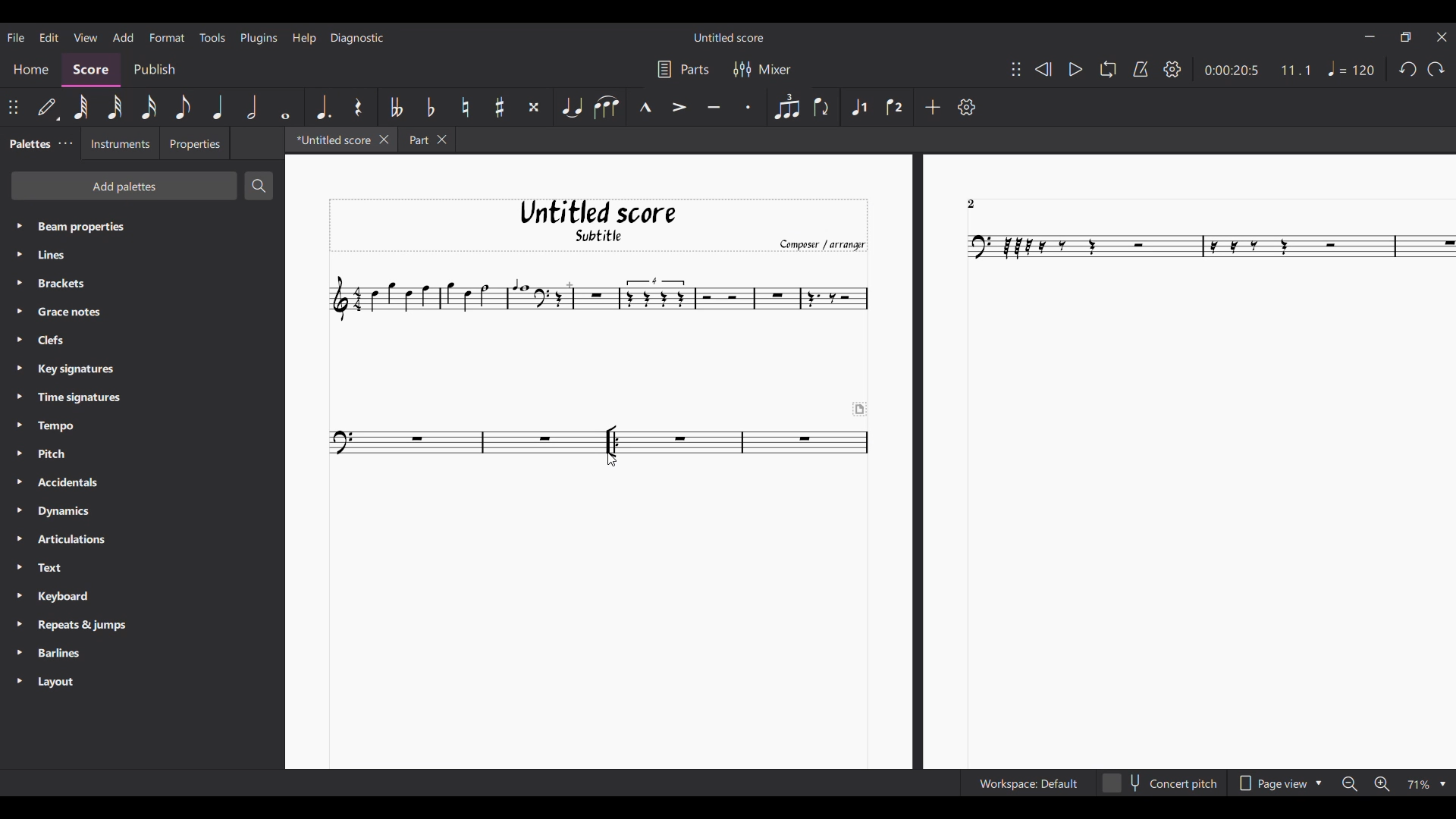  Describe the element at coordinates (431, 107) in the screenshot. I see `Toggle flat` at that location.